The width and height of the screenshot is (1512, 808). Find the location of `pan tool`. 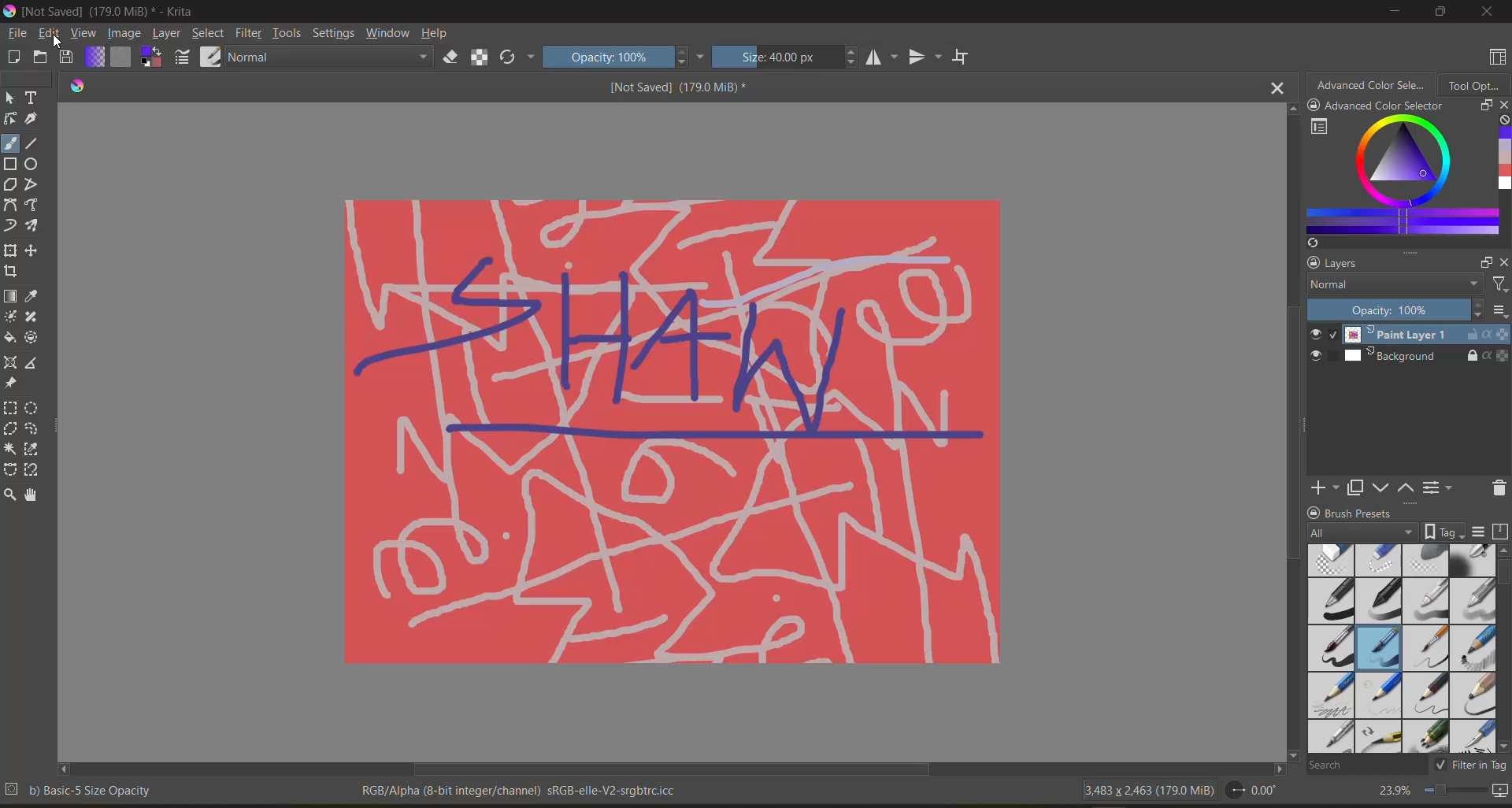

pan tool is located at coordinates (35, 494).